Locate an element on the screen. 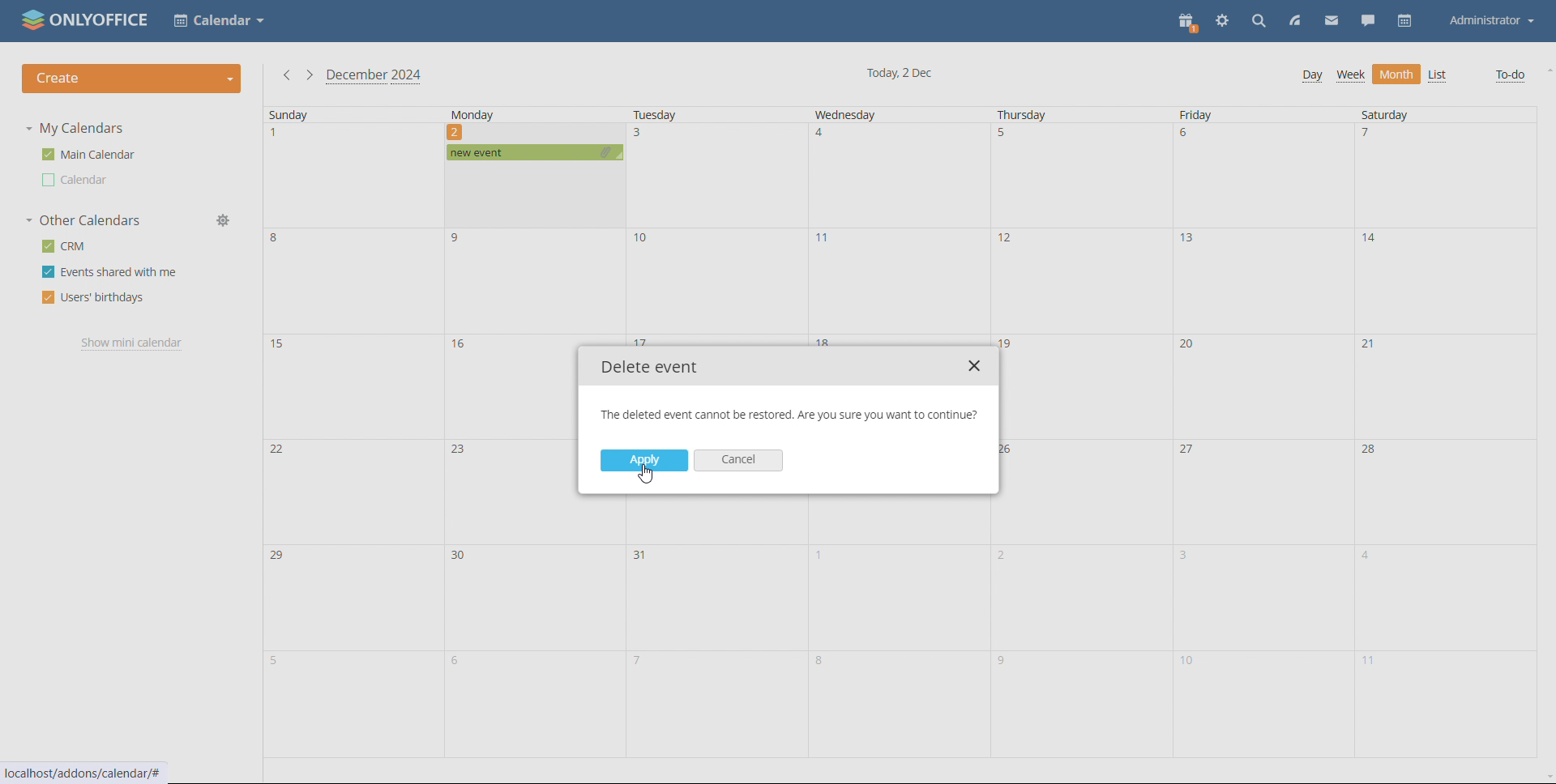 The image size is (1556, 784). 7 is located at coordinates (1374, 137).